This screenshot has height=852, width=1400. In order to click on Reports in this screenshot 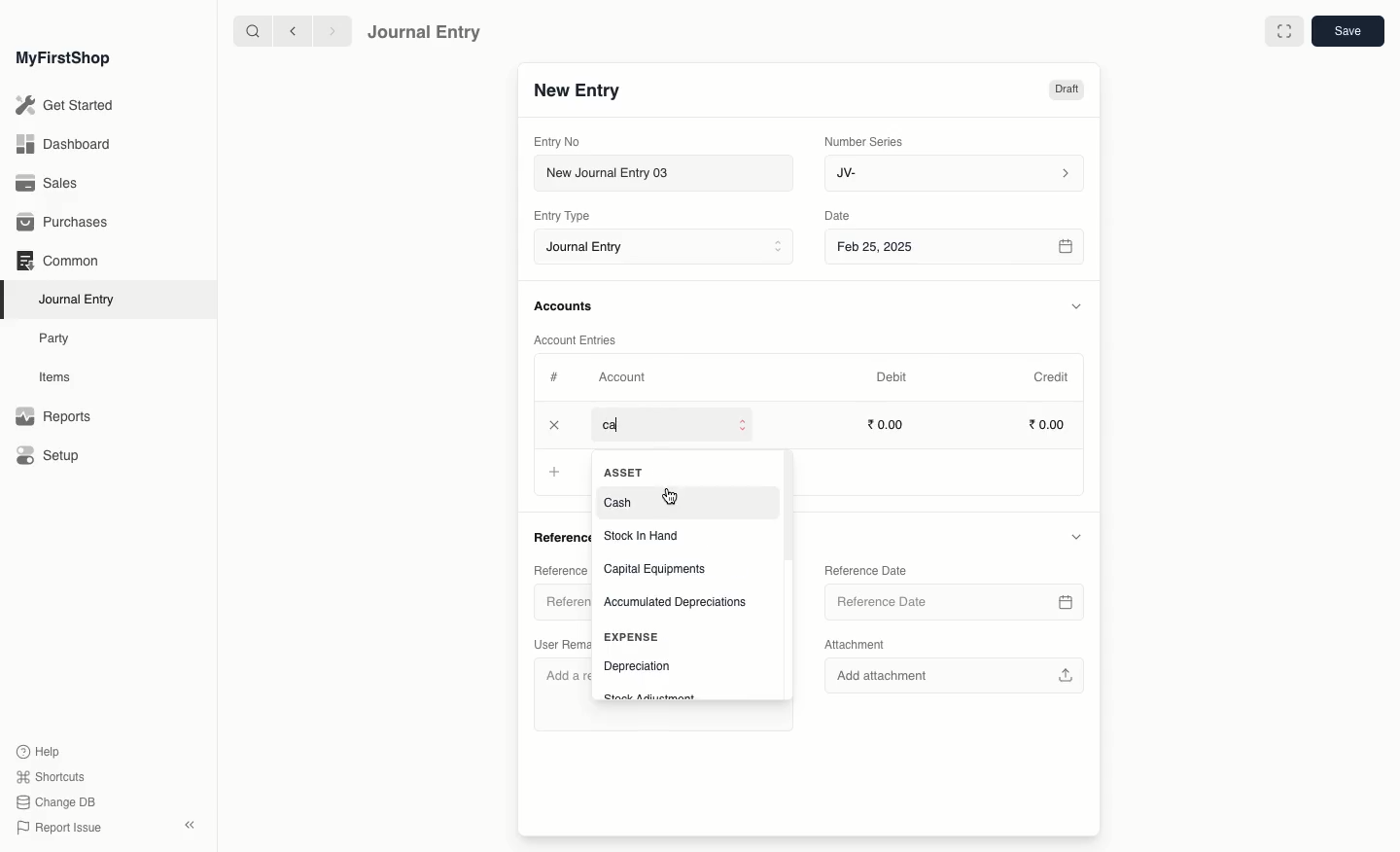, I will do `click(52, 417)`.